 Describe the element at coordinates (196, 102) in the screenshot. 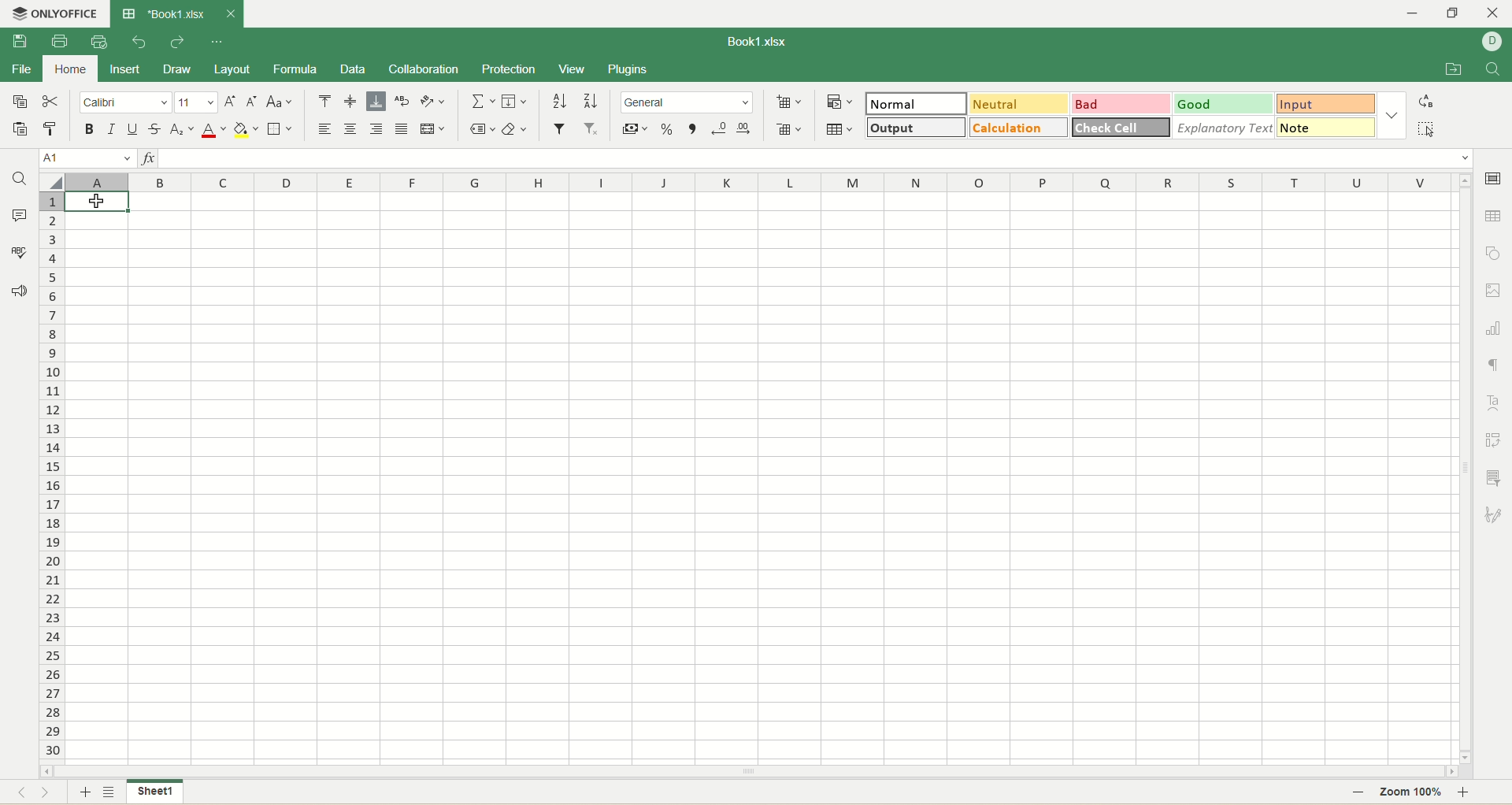

I see `font size` at that location.